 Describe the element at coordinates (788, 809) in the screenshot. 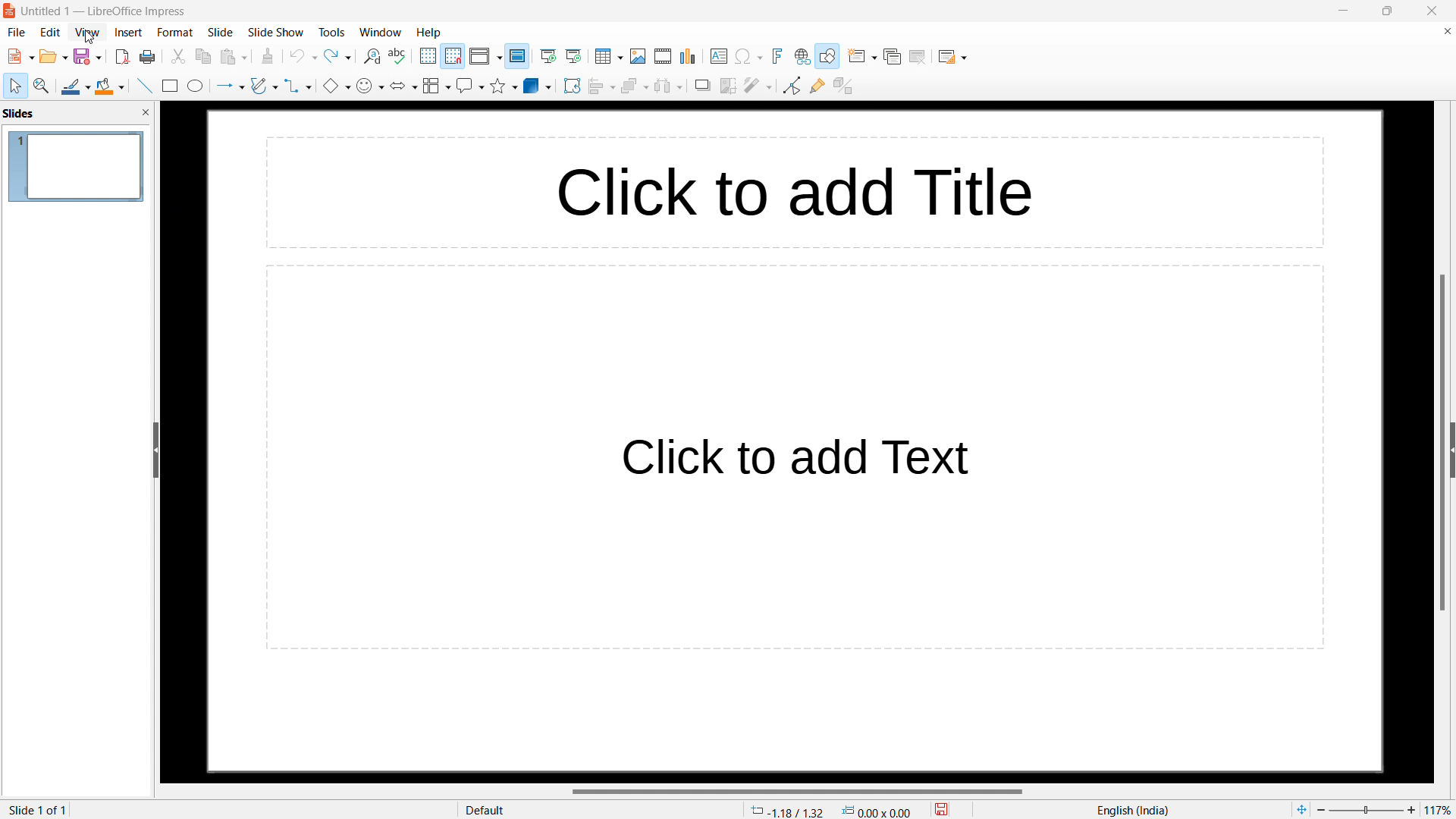

I see `cursor coordinates` at that location.